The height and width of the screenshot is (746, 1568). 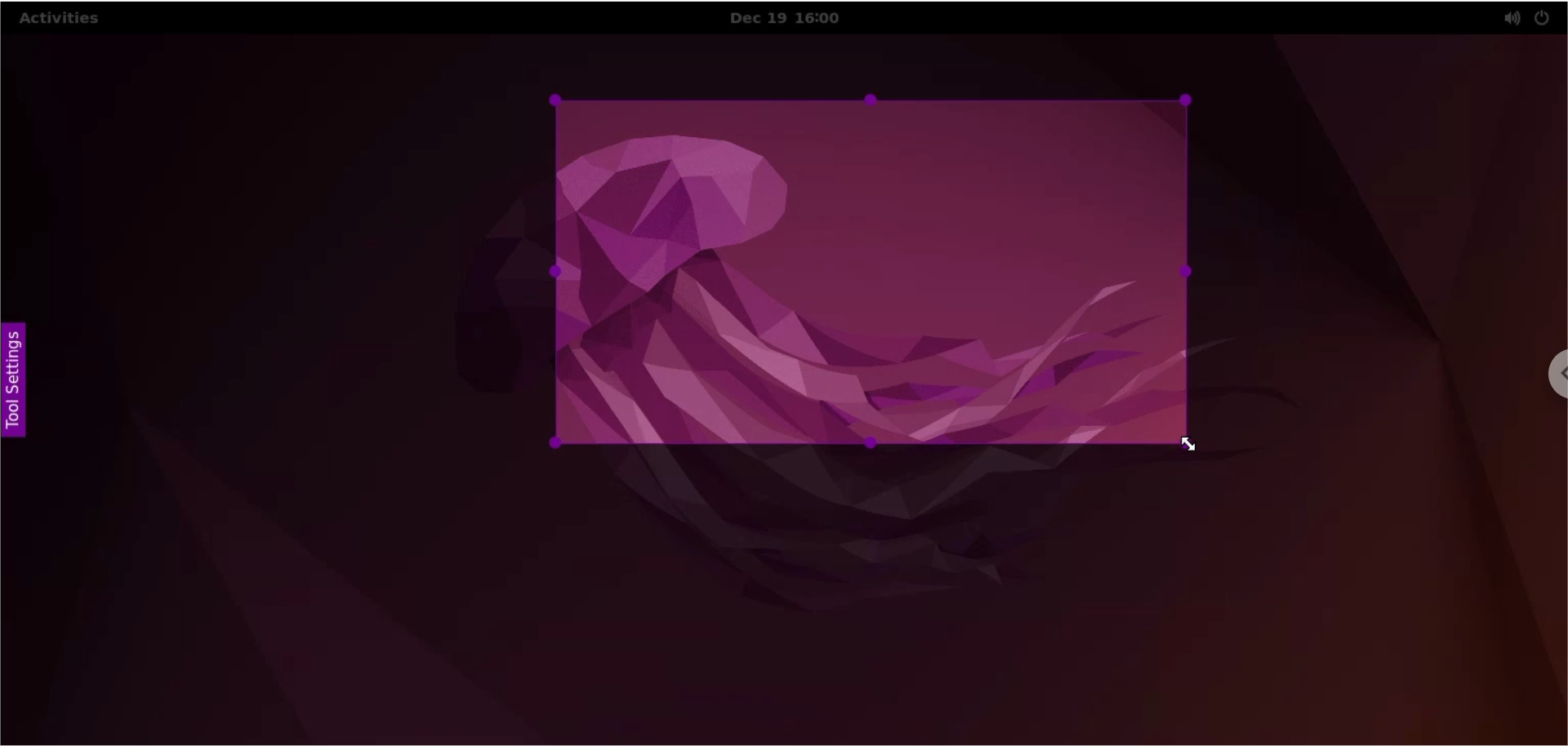 I want to click on tool settings, so click(x=19, y=380).